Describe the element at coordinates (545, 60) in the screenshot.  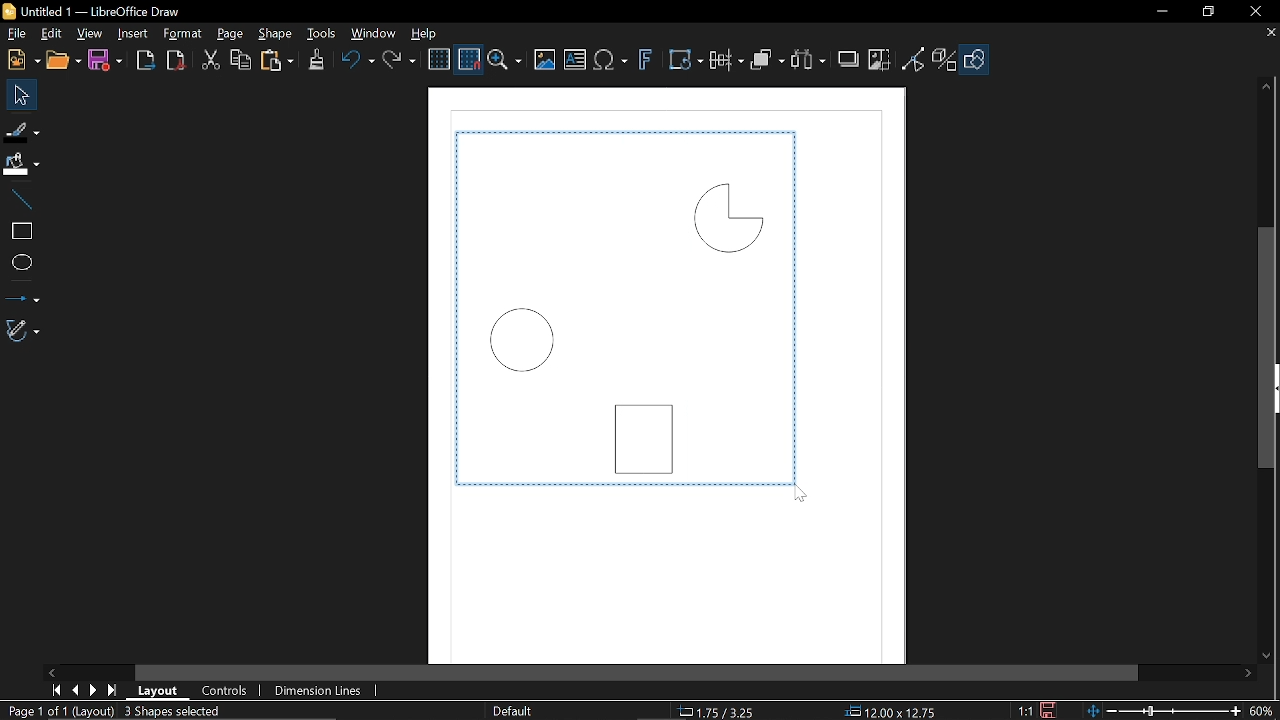
I see `Insert image` at that location.